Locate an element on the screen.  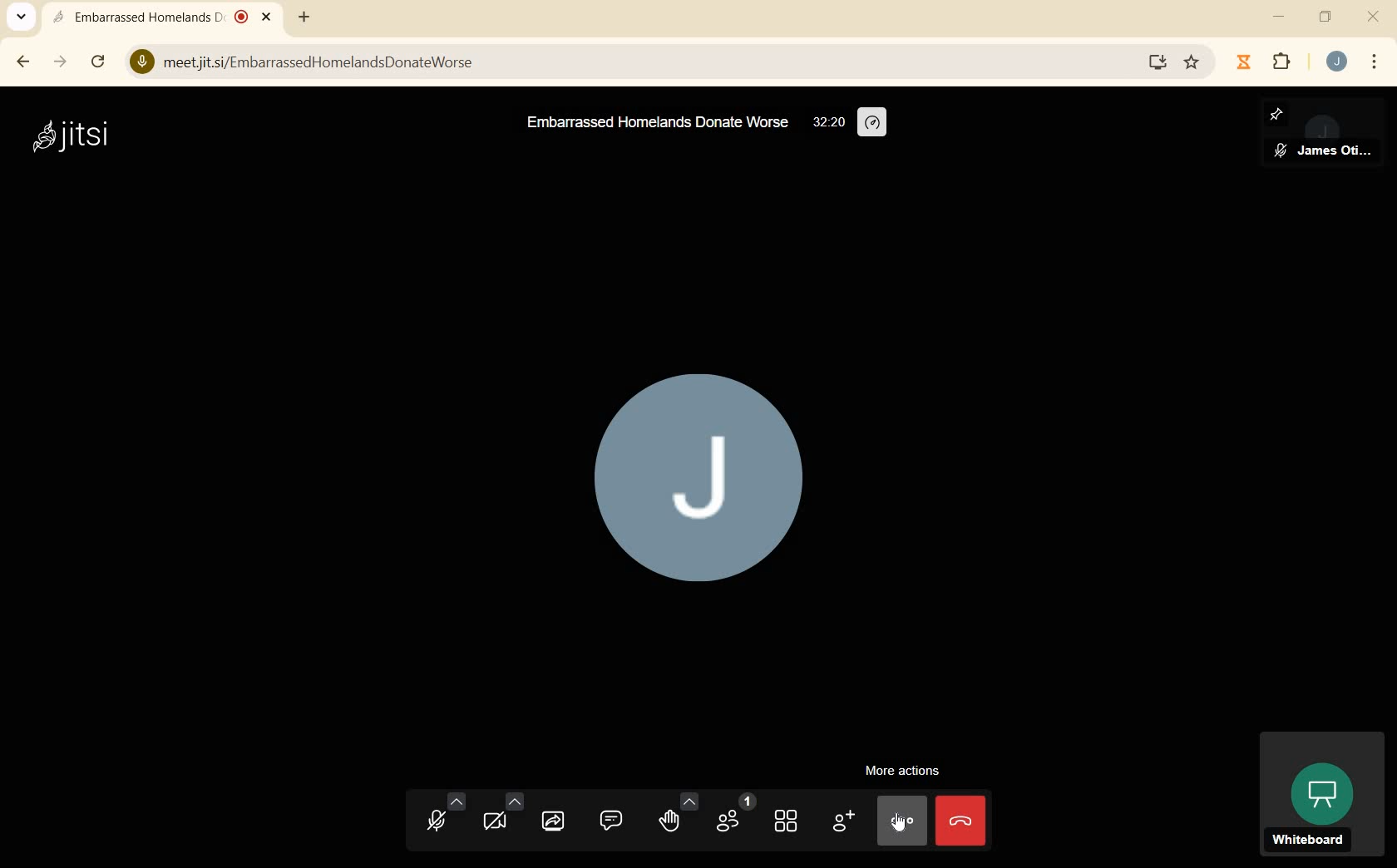
microphone is located at coordinates (441, 818).